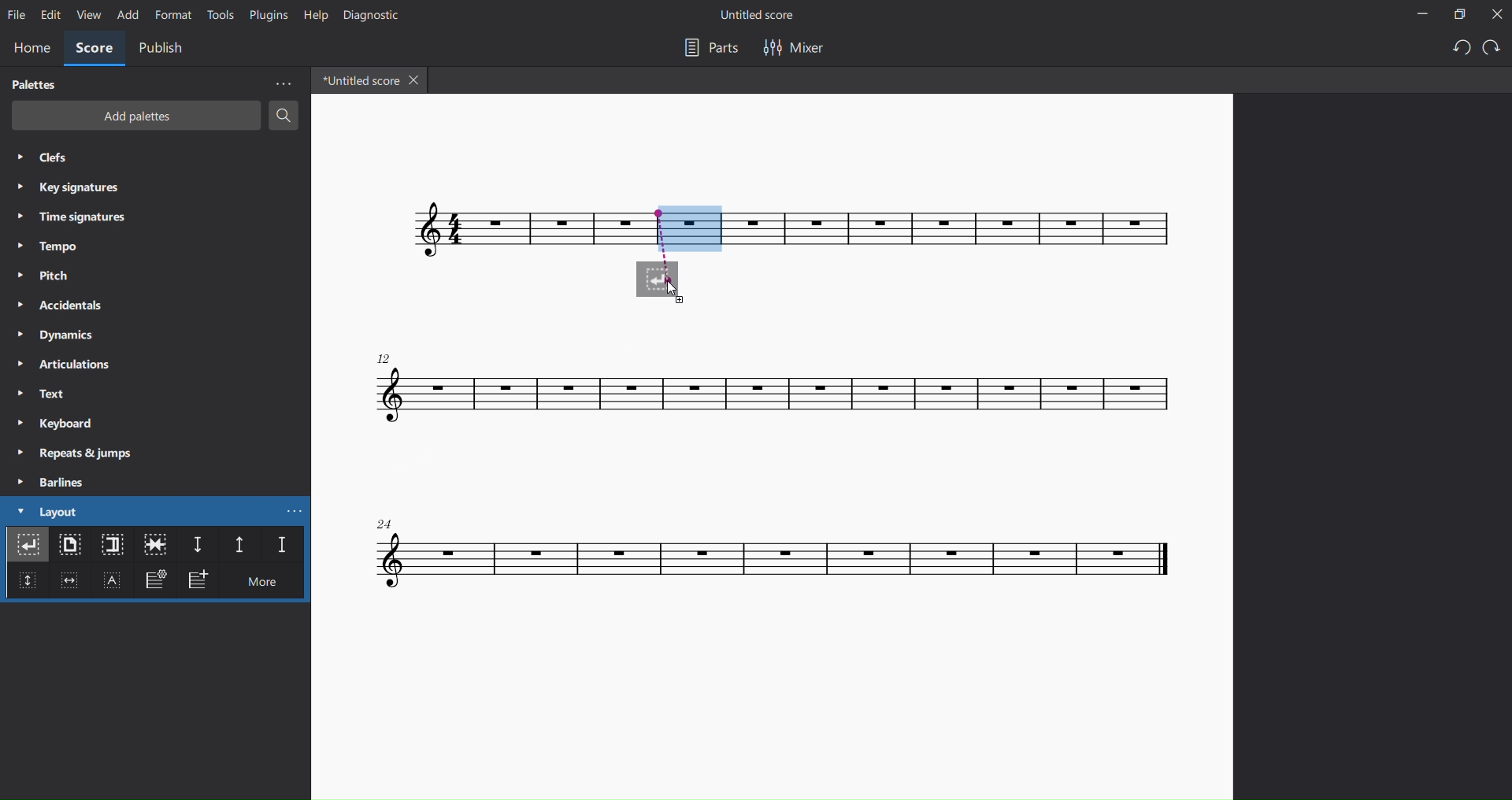 This screenshot has height=800, width=1512. Describe the element at coordinates (87, 17) in the screenshot. I see `view` at that location.